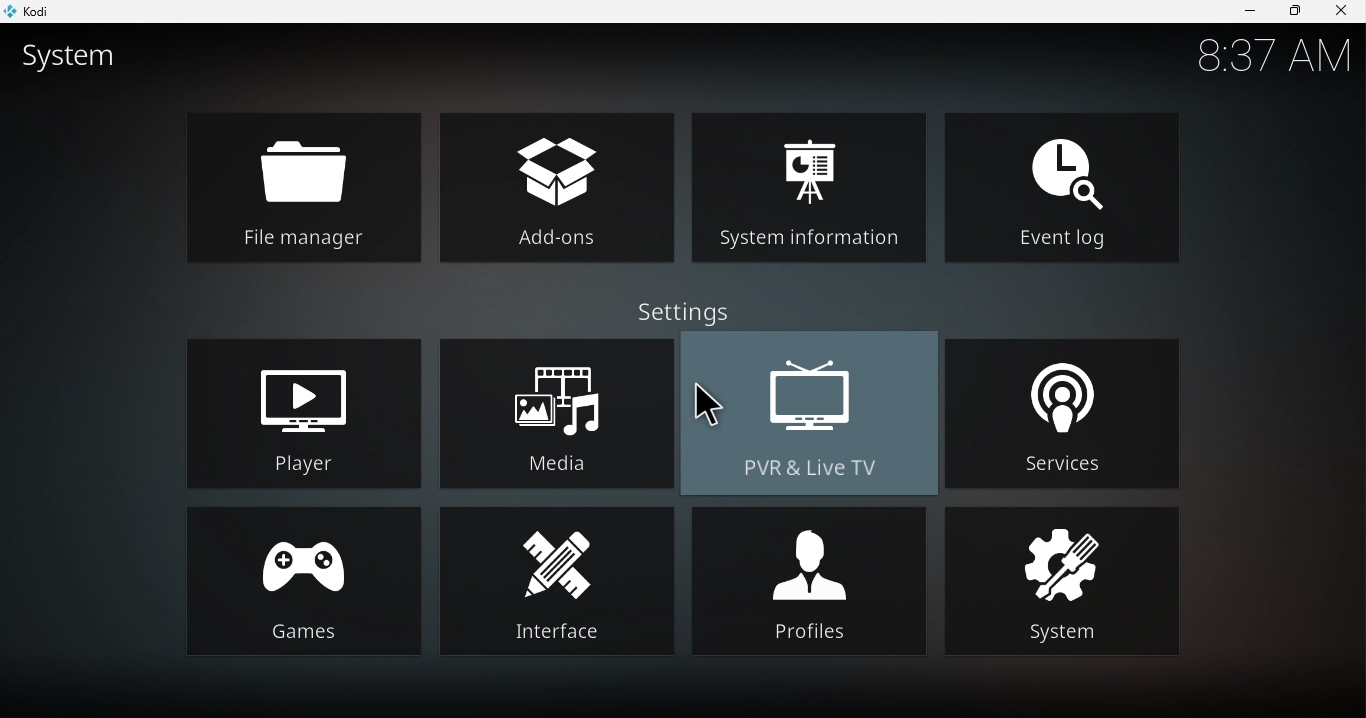 This screenshot has width=1366, height=718. Describe the element at coordinates (558, 580) in the screenshot. I see `Interface` at that location.